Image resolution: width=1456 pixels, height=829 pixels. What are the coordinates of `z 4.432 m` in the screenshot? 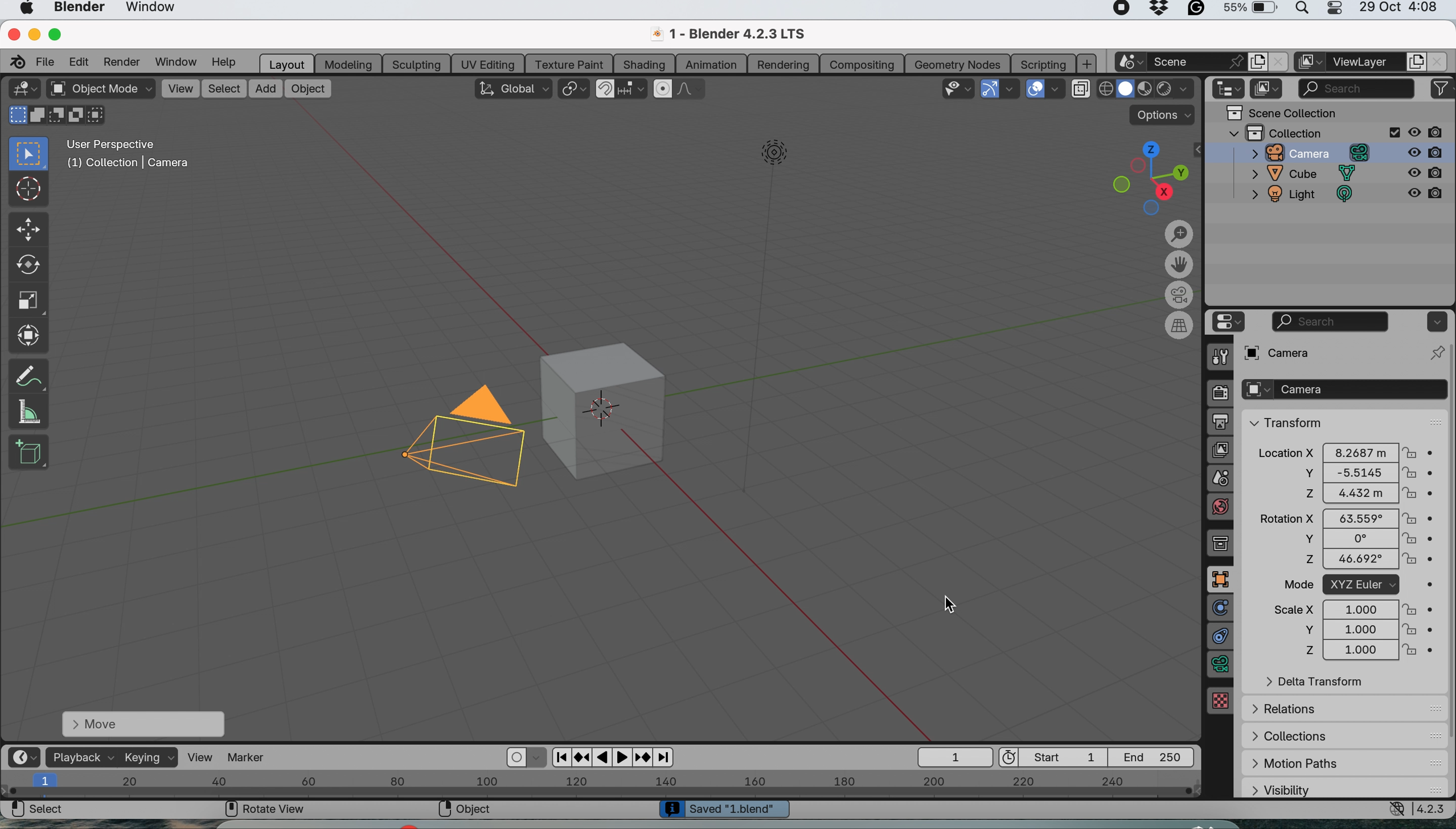 It's located at (1353, 494).